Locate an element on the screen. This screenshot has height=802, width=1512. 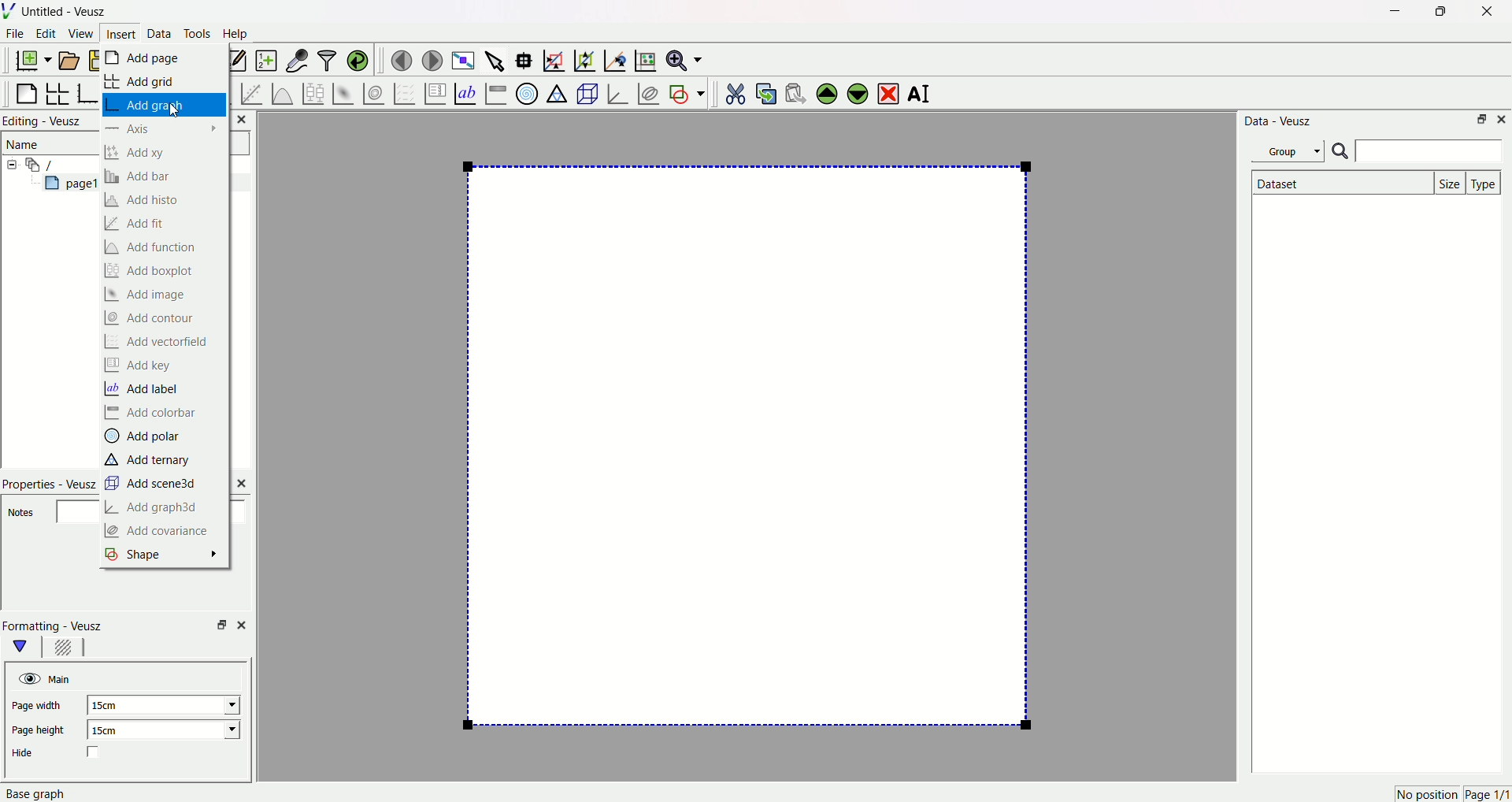
Help is located at coordinates (240, 34).